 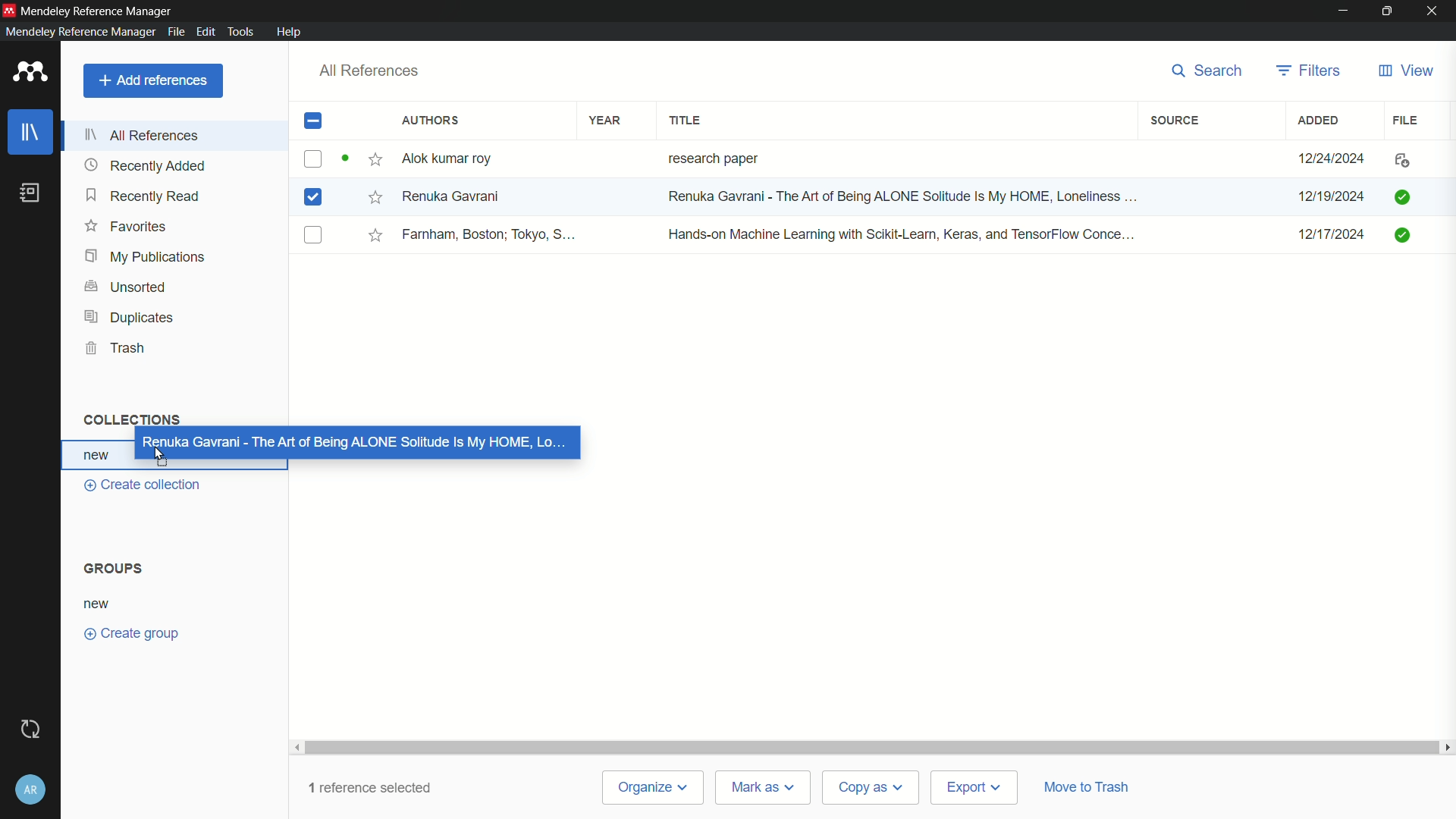 I want to click on Renuka Gavrani - The Art of Being ALONE Solitude is My HOME, Lo..., so click(x=359, y=446).